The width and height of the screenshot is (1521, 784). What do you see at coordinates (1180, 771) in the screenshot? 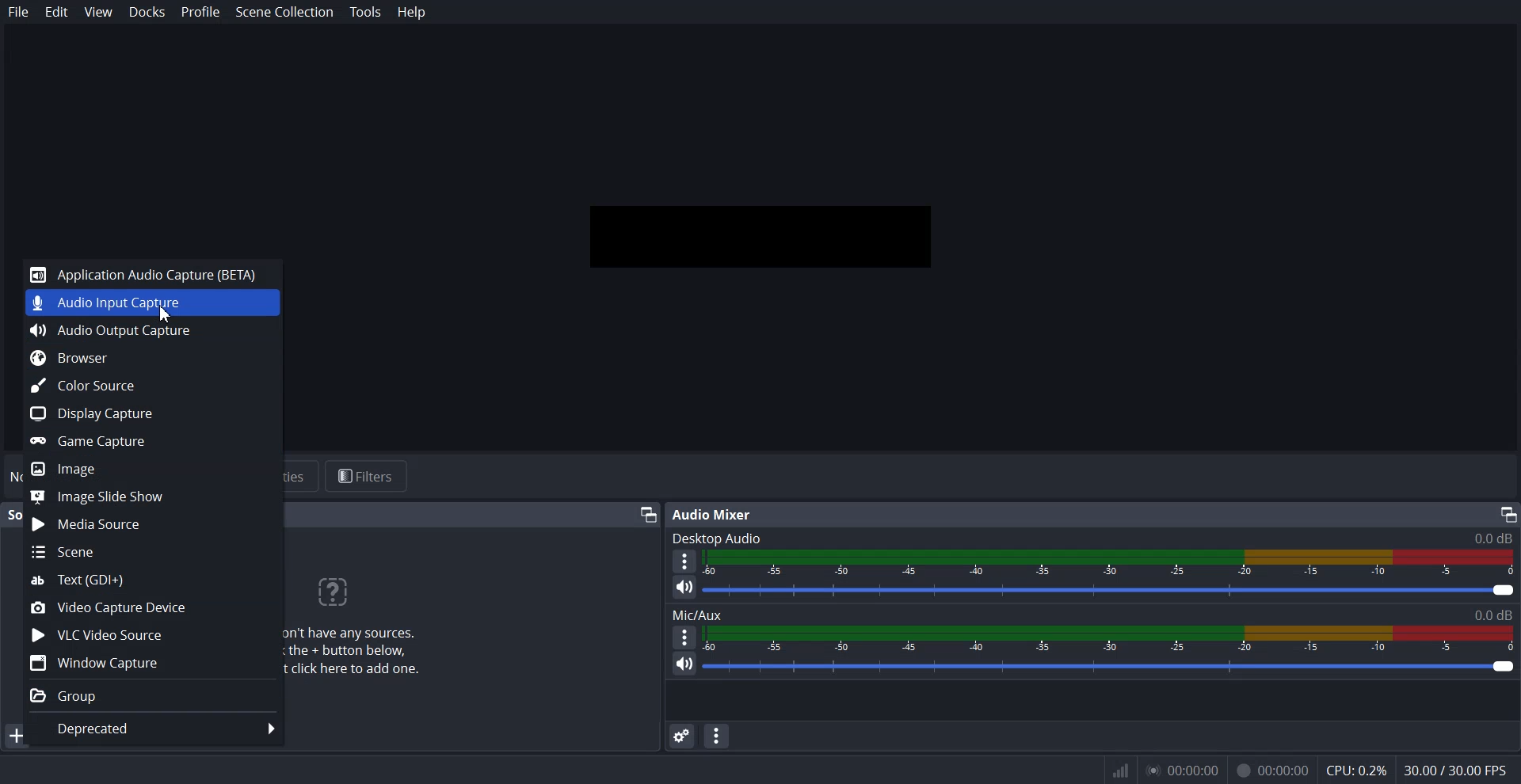
I see `0.00` at bounding box center [1180, 771].